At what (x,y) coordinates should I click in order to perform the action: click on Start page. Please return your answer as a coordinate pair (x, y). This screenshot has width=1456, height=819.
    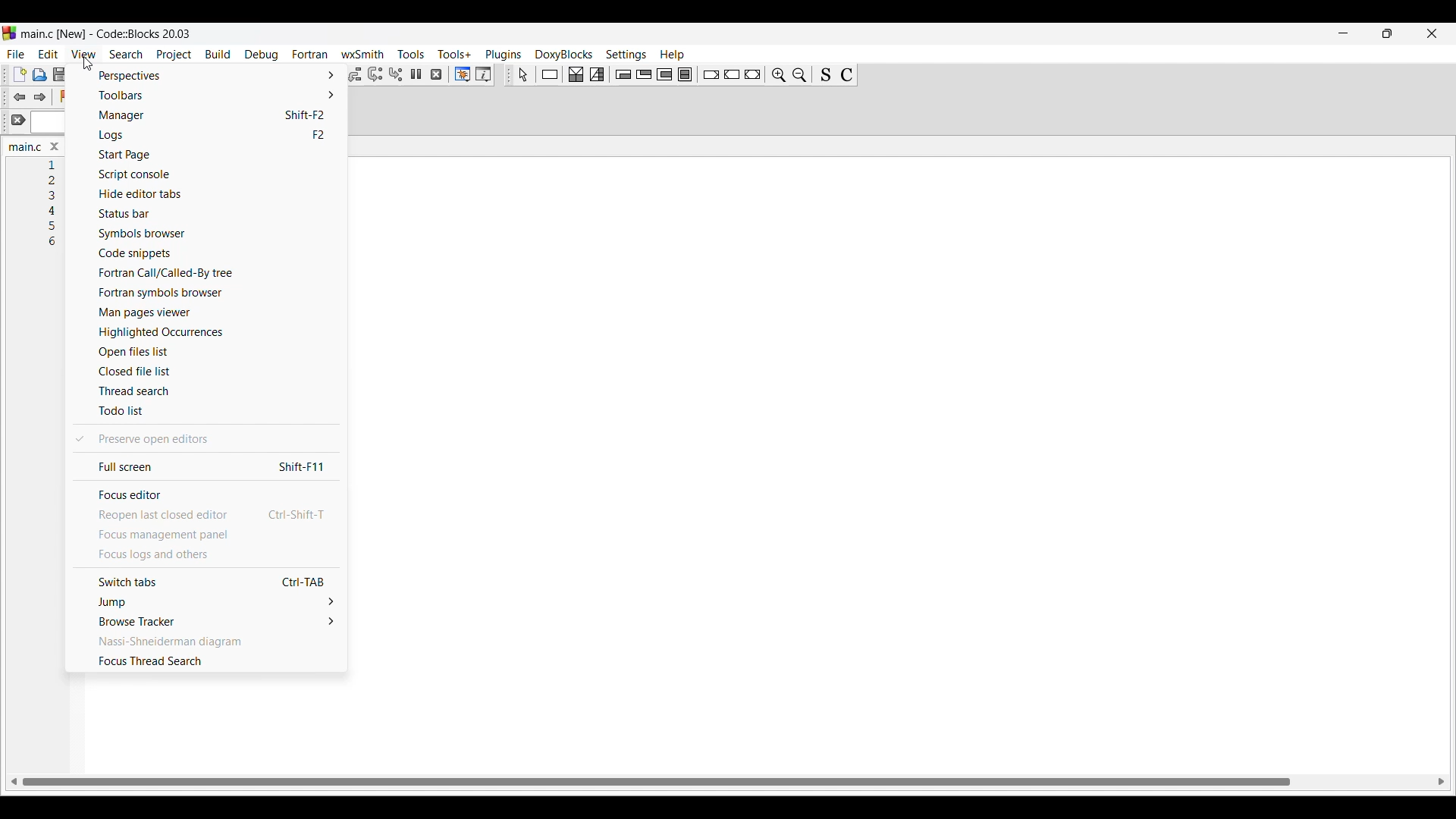
    Looking at the image, I should click on (209, 155).